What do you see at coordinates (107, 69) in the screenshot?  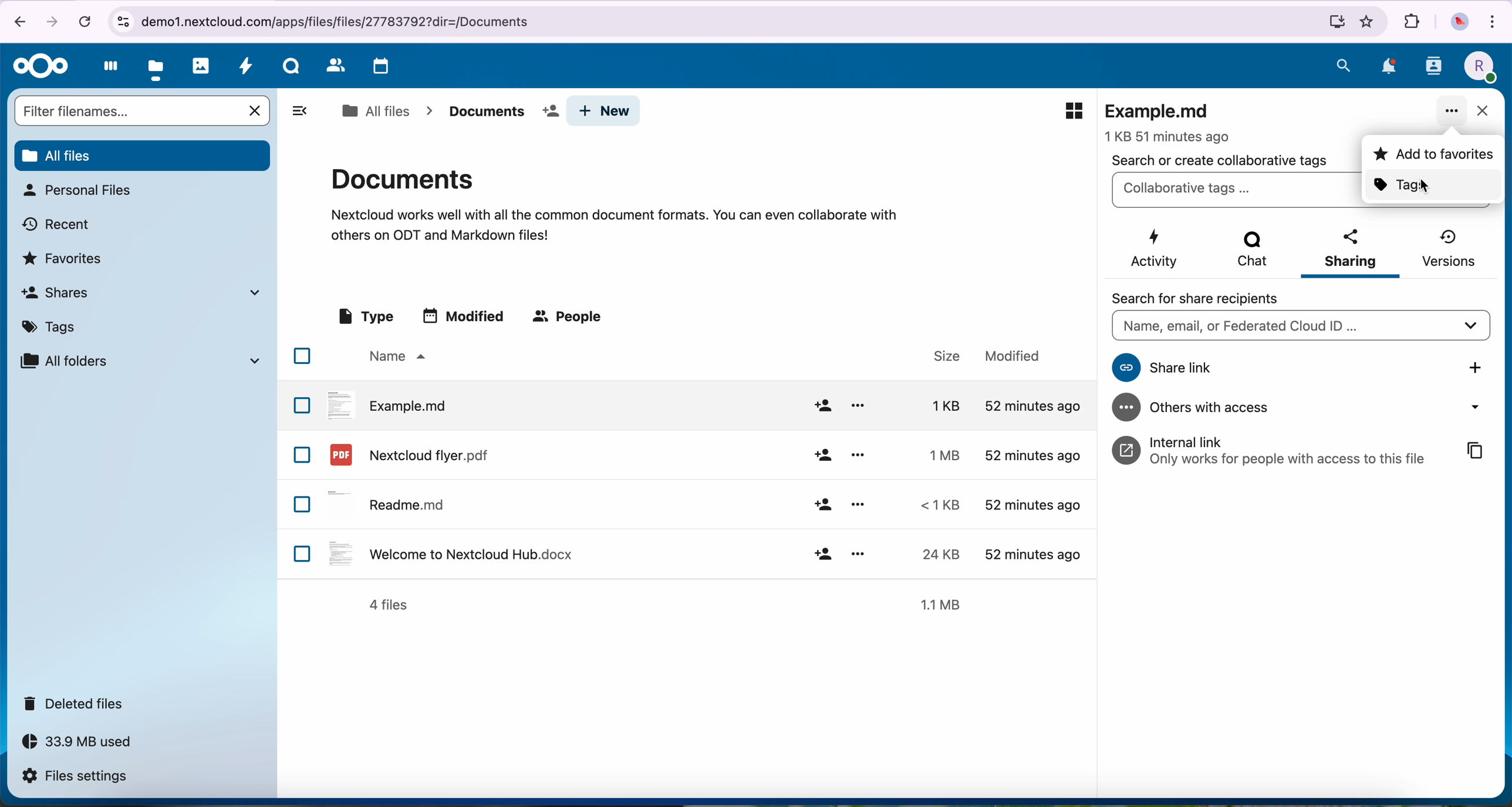 I see `dashboard` at bounding box center [107, 69].